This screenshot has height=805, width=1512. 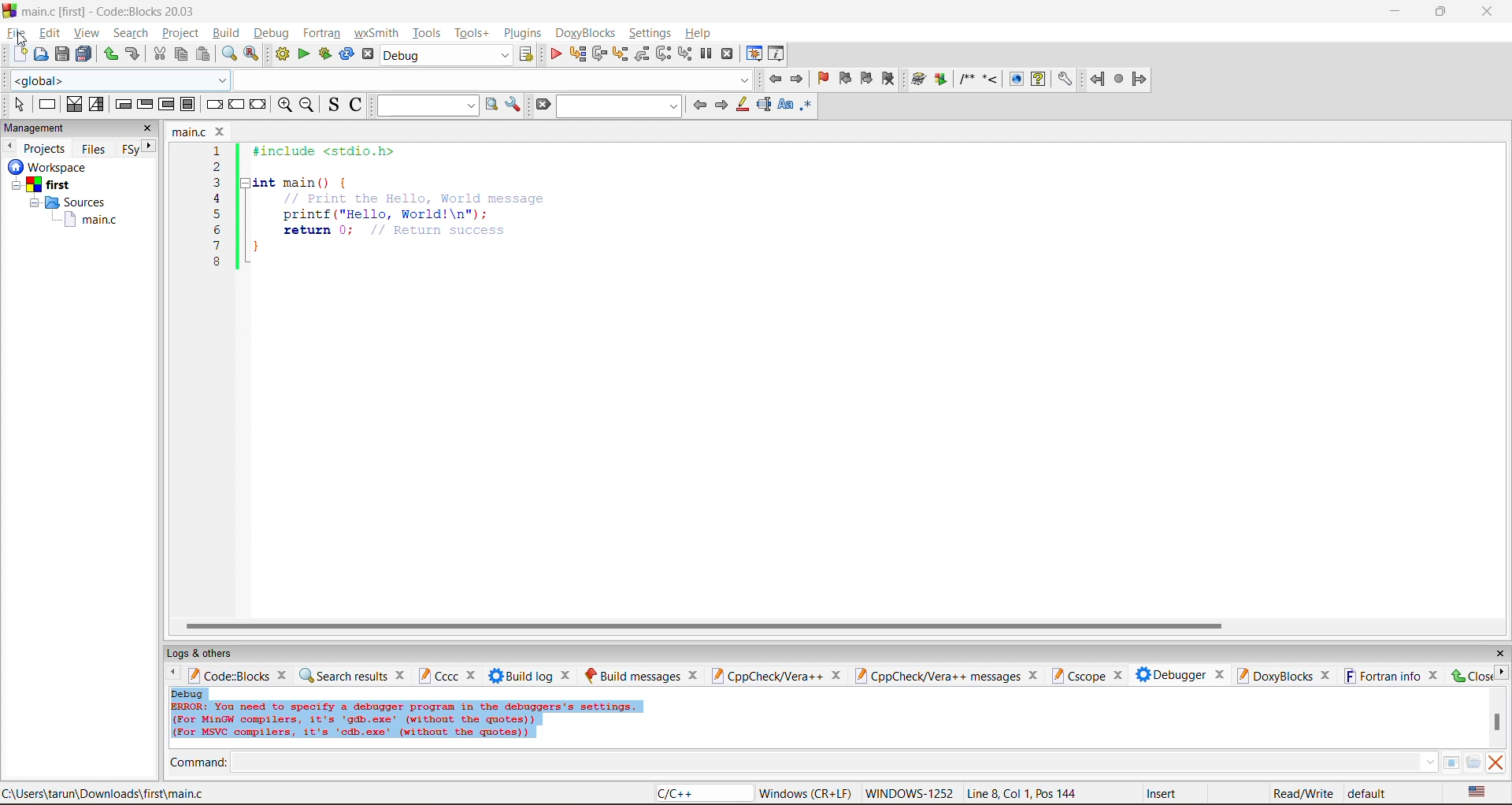 I want to click on run search, so click(x=491, y=105).